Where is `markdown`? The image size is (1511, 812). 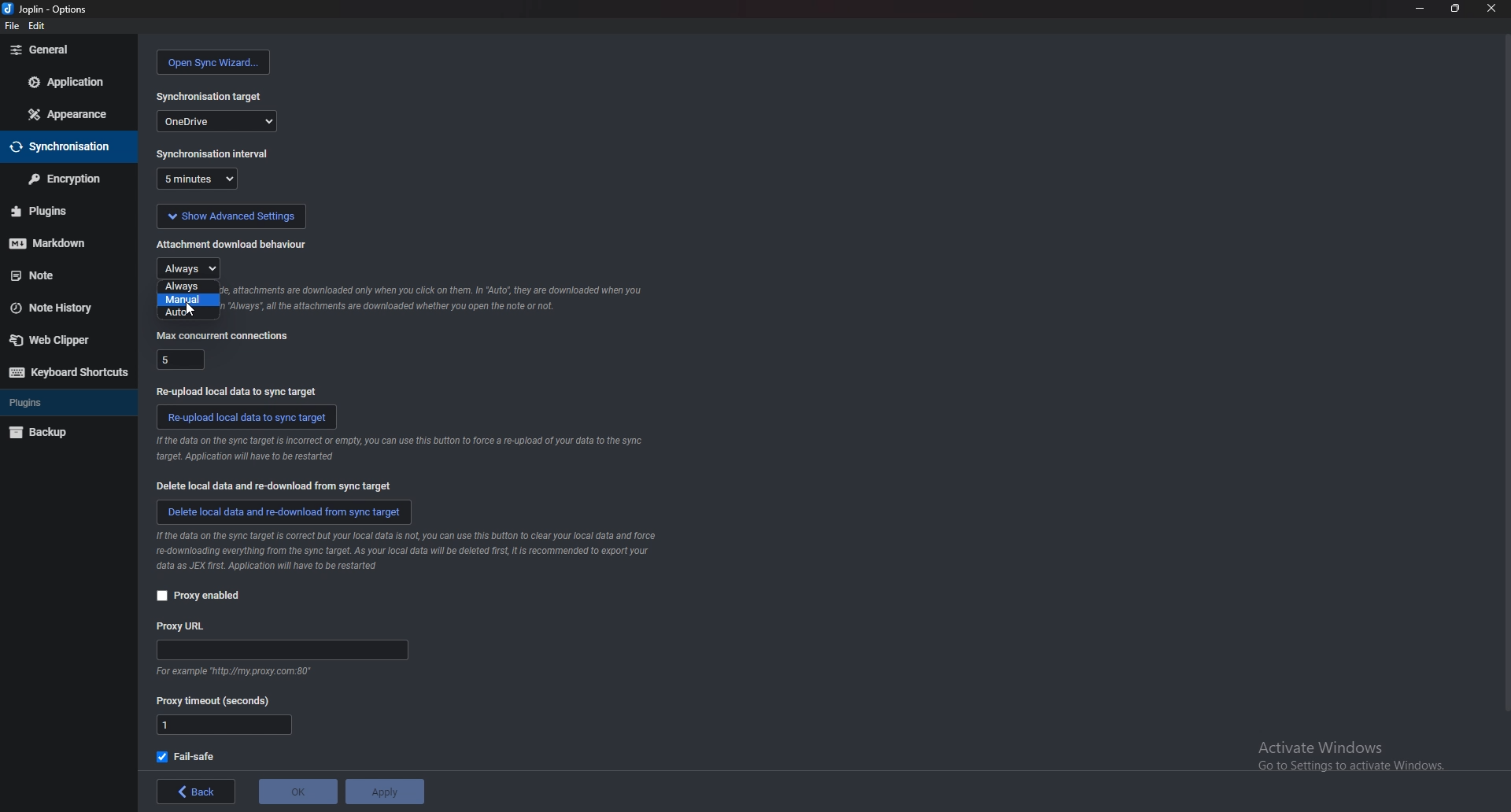
markdown is located at coordinates (63, 243).